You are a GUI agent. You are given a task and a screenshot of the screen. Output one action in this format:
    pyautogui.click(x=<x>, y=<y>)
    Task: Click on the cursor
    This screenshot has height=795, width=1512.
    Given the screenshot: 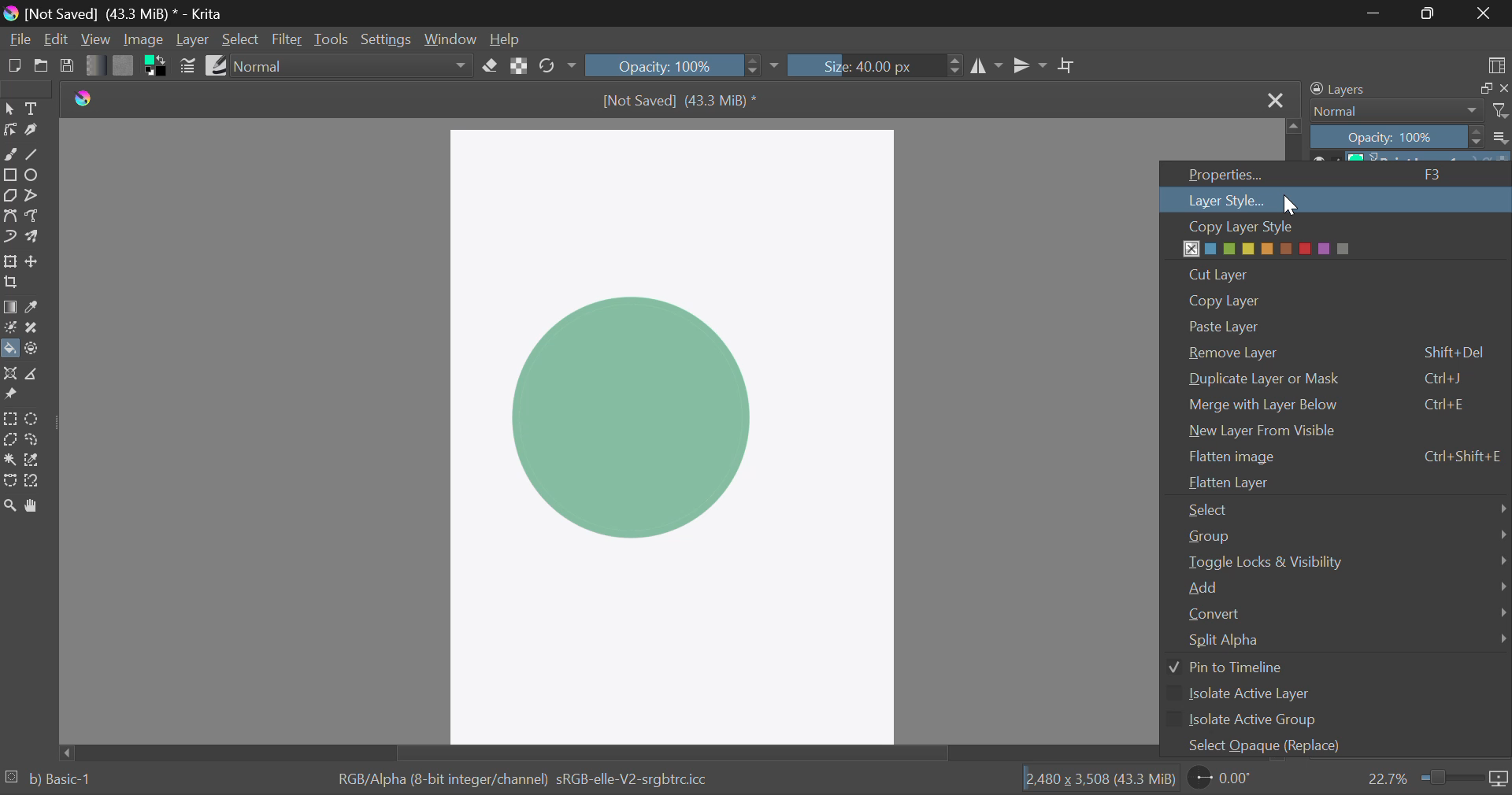 What is the action you would take?
    pyautogui.click(x=1291, y=209)
    